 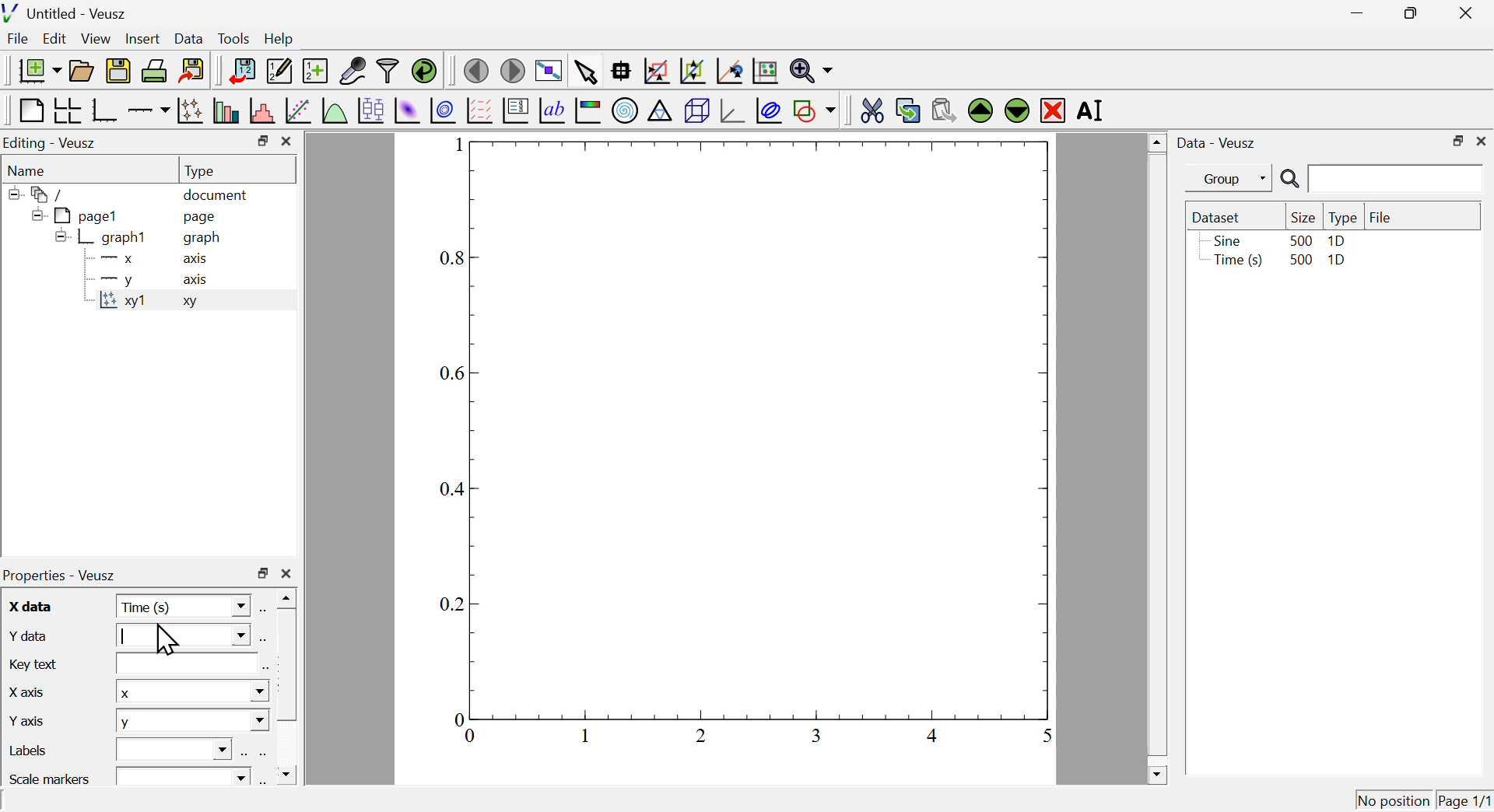 I want to click on text box, so click(x=184, y=775).